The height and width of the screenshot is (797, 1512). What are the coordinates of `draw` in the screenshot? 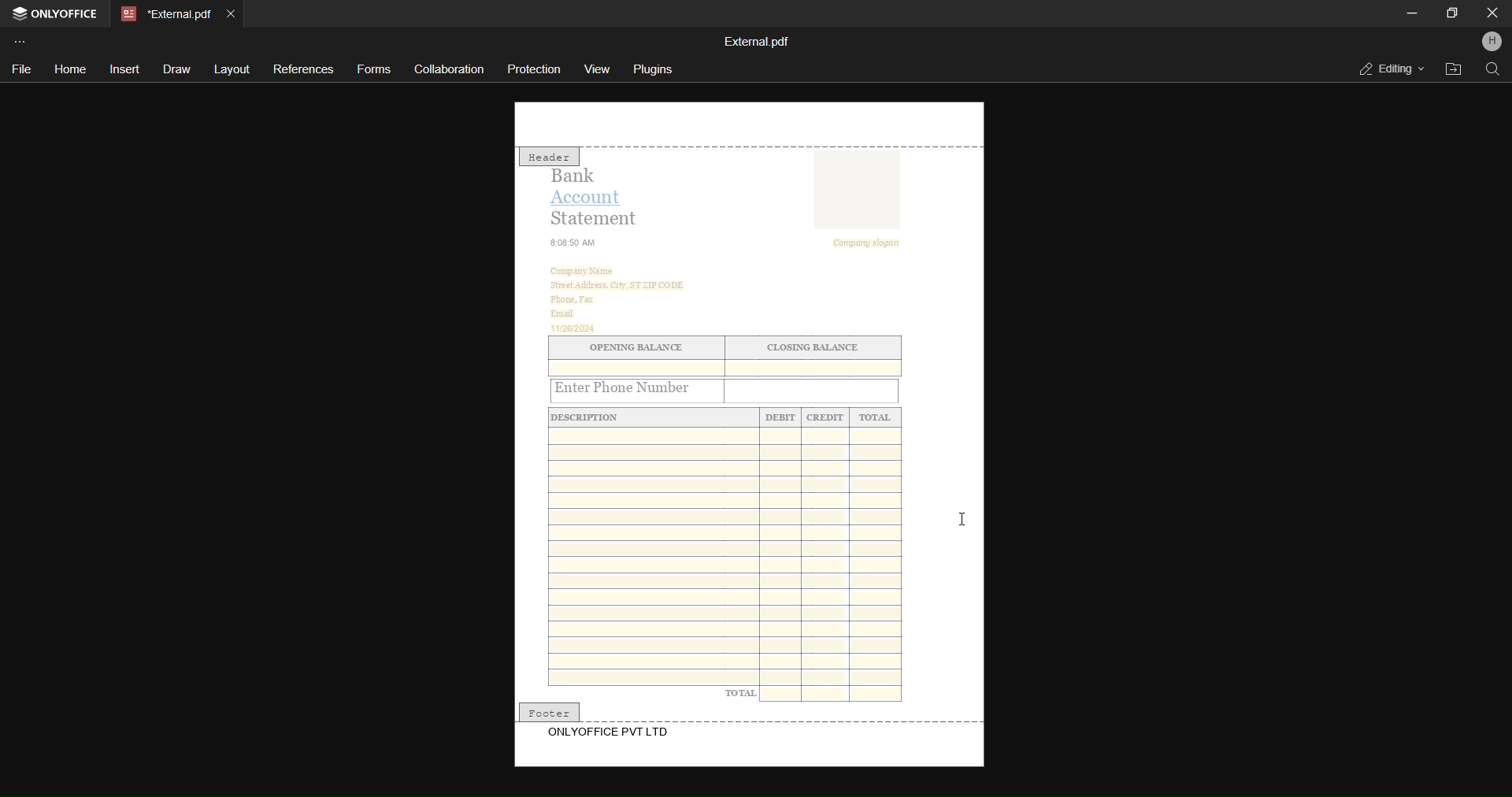 It's located at (176, 71).